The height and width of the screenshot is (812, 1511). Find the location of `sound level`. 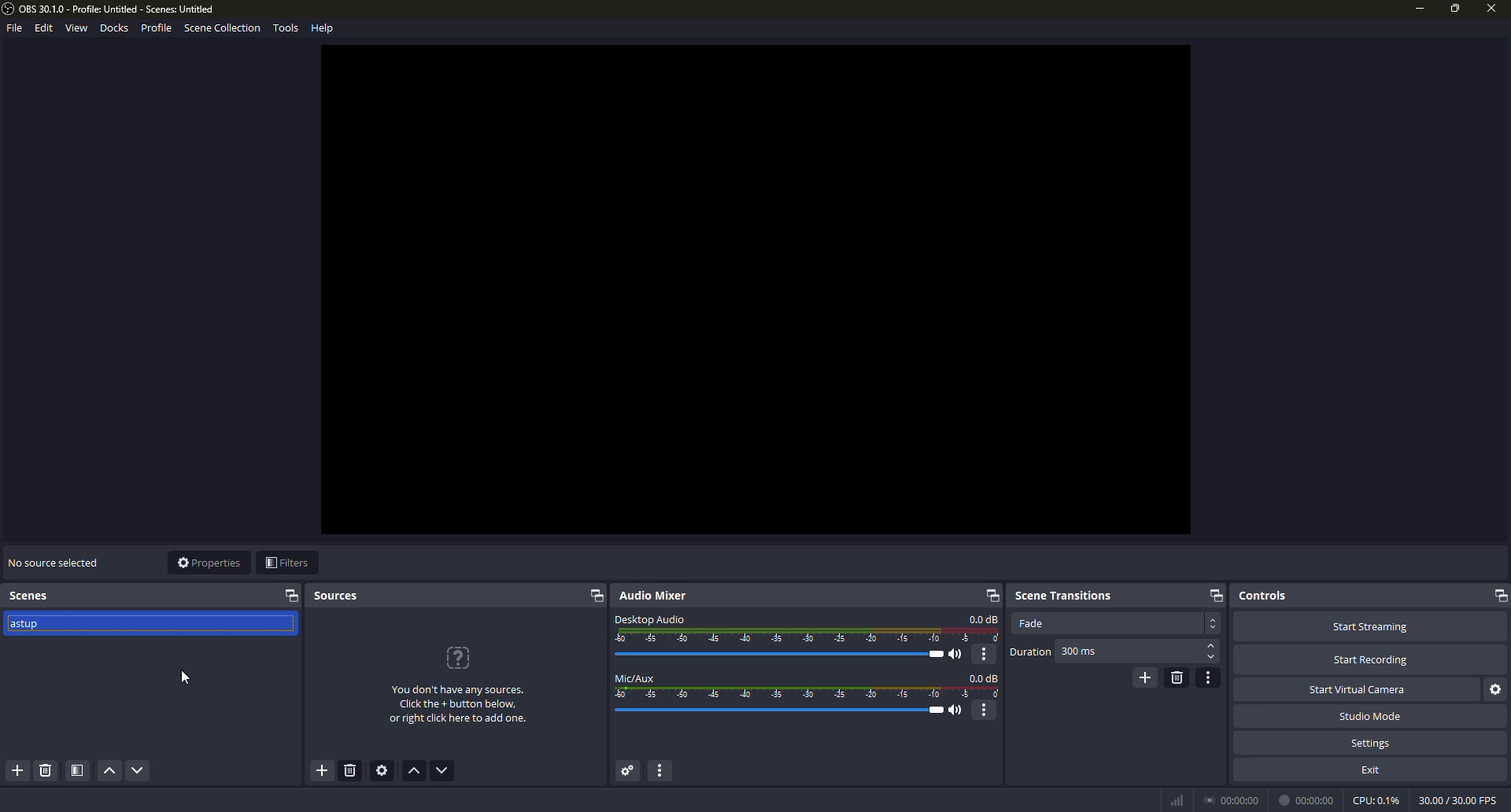

sound level is located at coordinates (783, 710).